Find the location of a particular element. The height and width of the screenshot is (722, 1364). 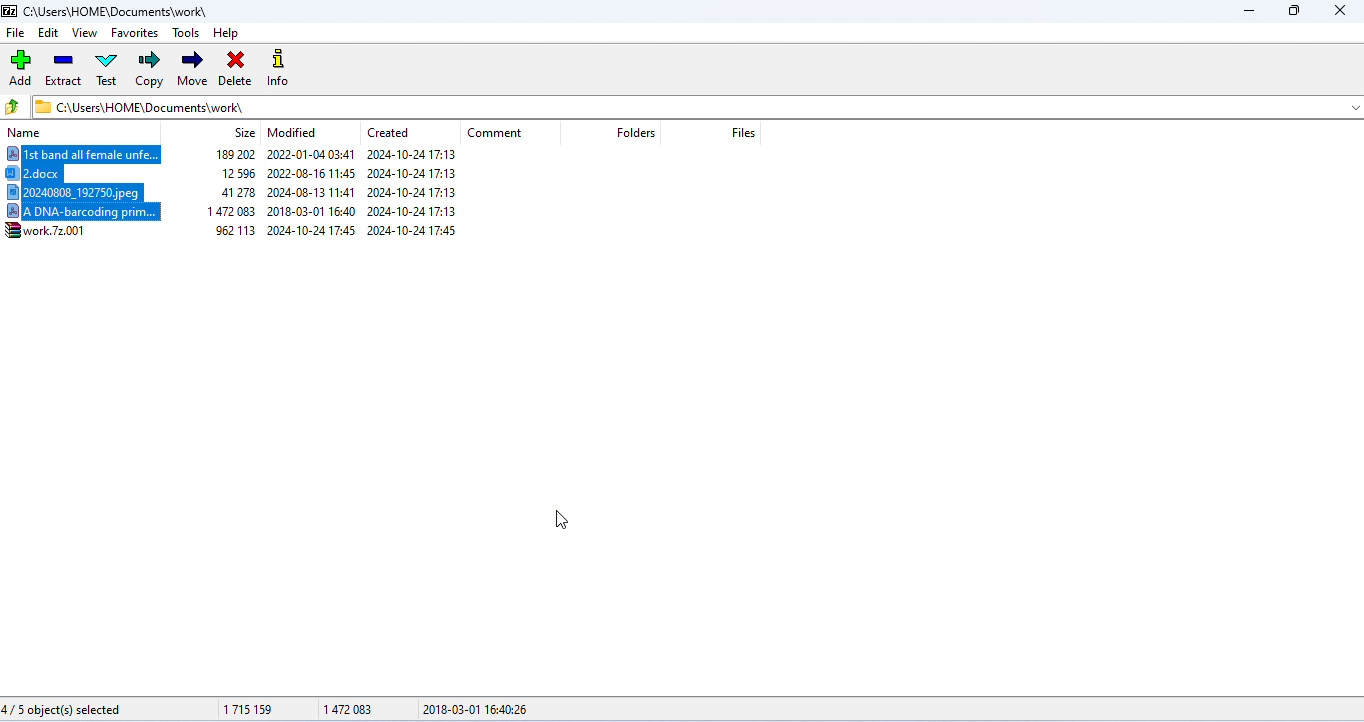

created is located at coordinates (388, 132).